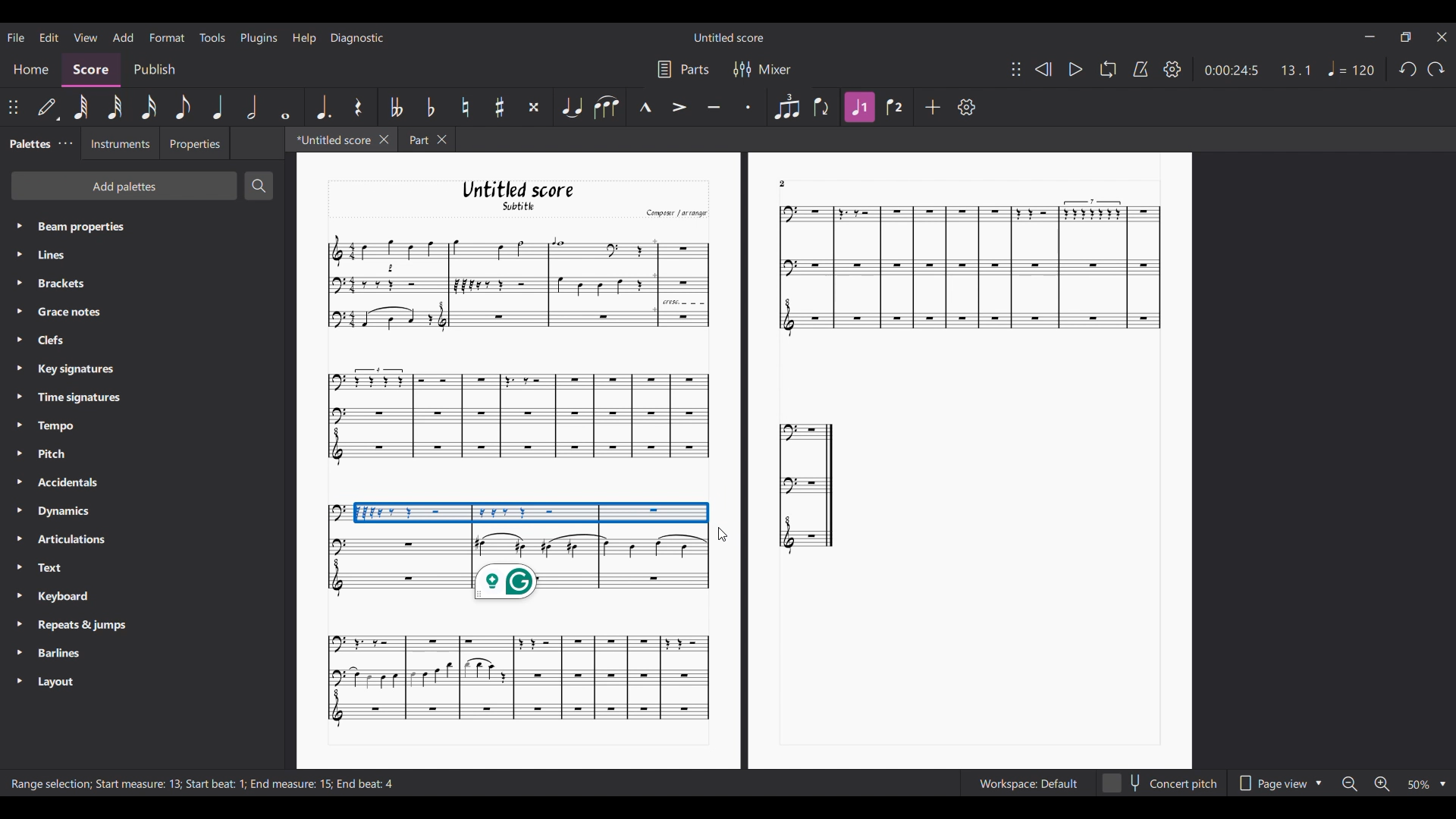  Describe the element at coordinates (465, 107) in the screenshot. I see `Toggle natural` at that location.